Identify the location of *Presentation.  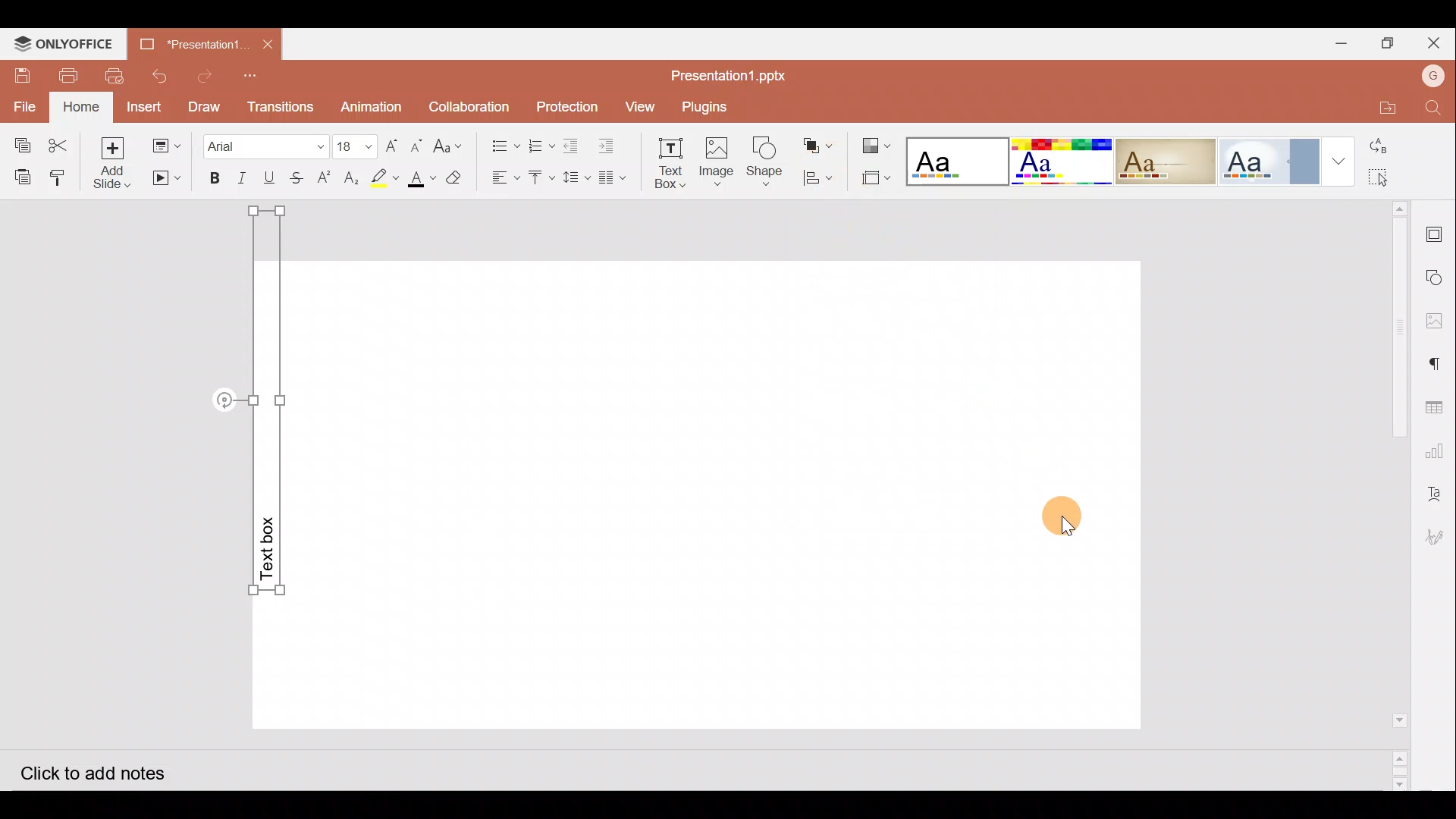
(184, 43).